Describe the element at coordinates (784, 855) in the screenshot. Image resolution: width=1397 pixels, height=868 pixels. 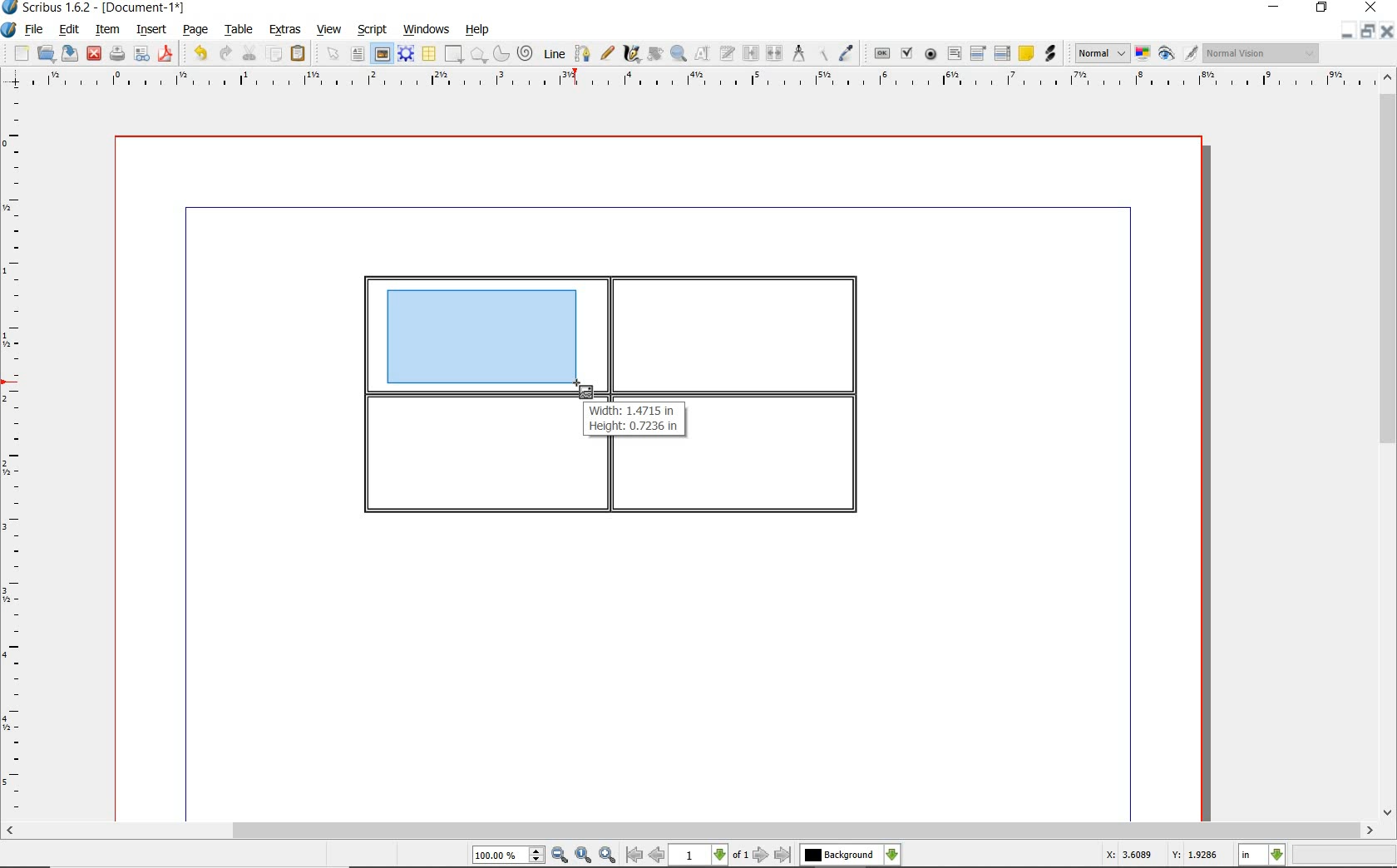
I see `go to last page` at that location.